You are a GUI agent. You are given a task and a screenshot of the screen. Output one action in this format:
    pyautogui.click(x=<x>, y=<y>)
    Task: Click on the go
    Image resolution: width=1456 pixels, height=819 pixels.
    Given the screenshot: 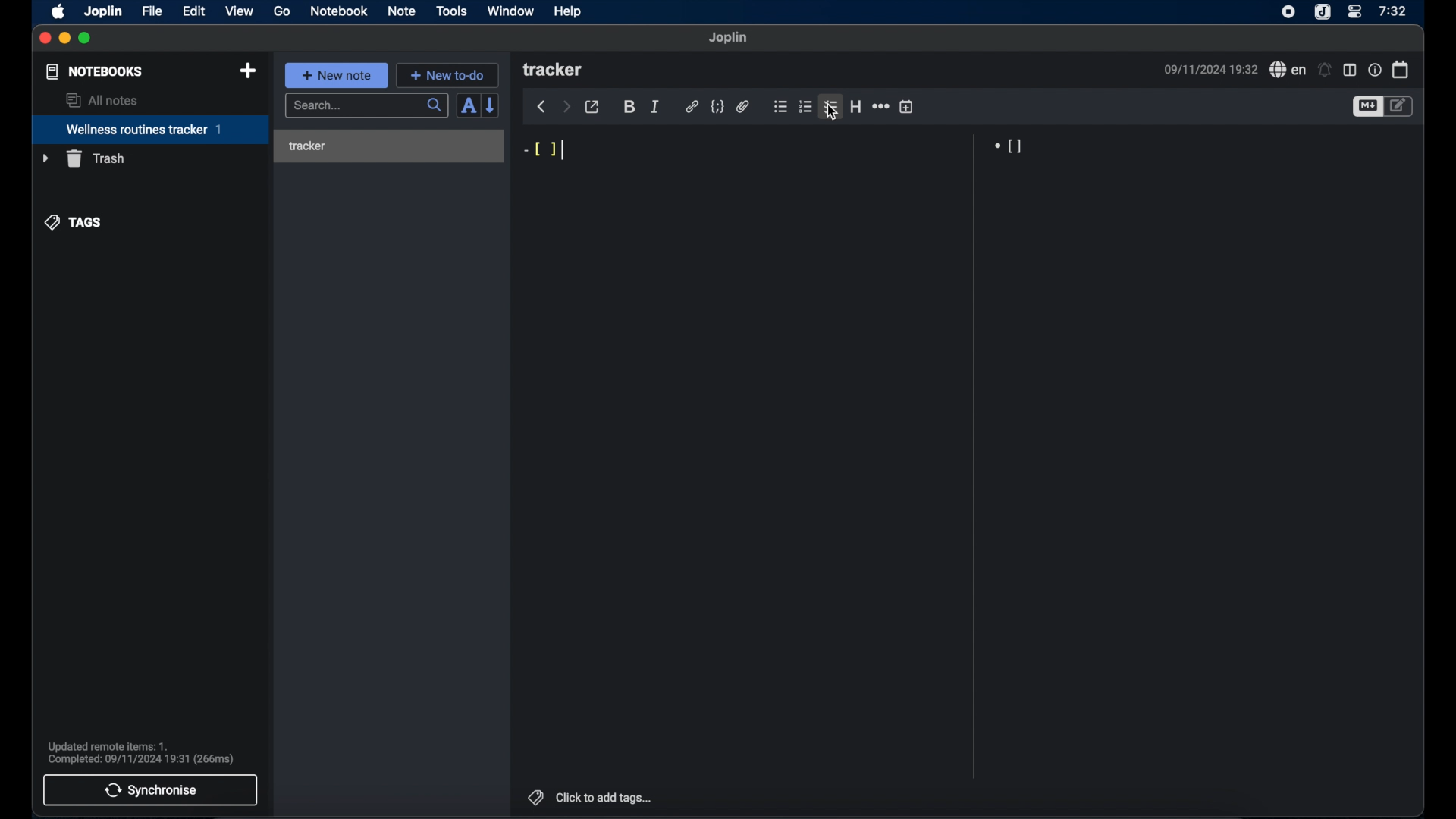 What is the action you would take?
    pyautogui.click(x=282, y=11)
    